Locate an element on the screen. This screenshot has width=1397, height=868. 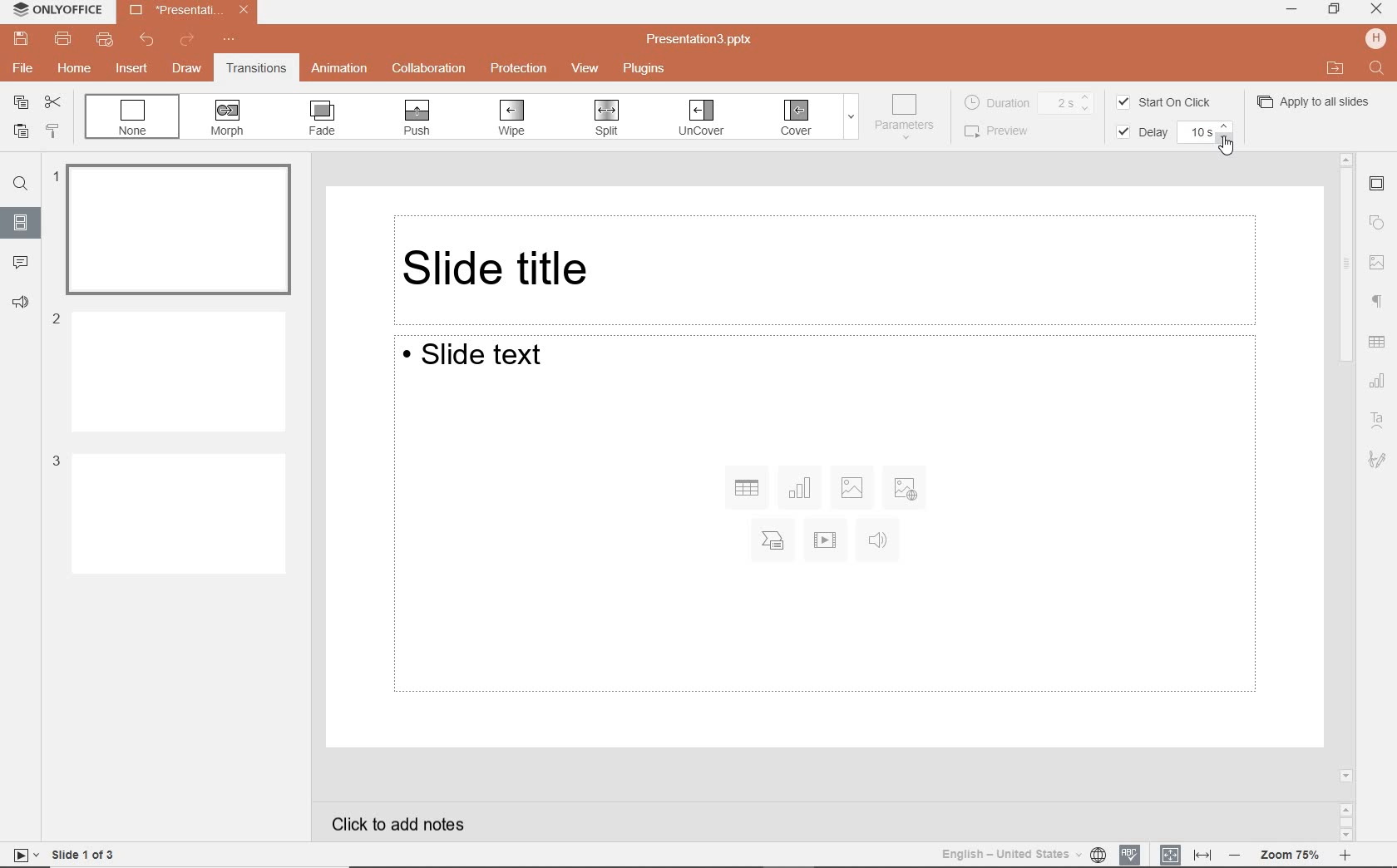
undo is located at coordinates (151, 41).